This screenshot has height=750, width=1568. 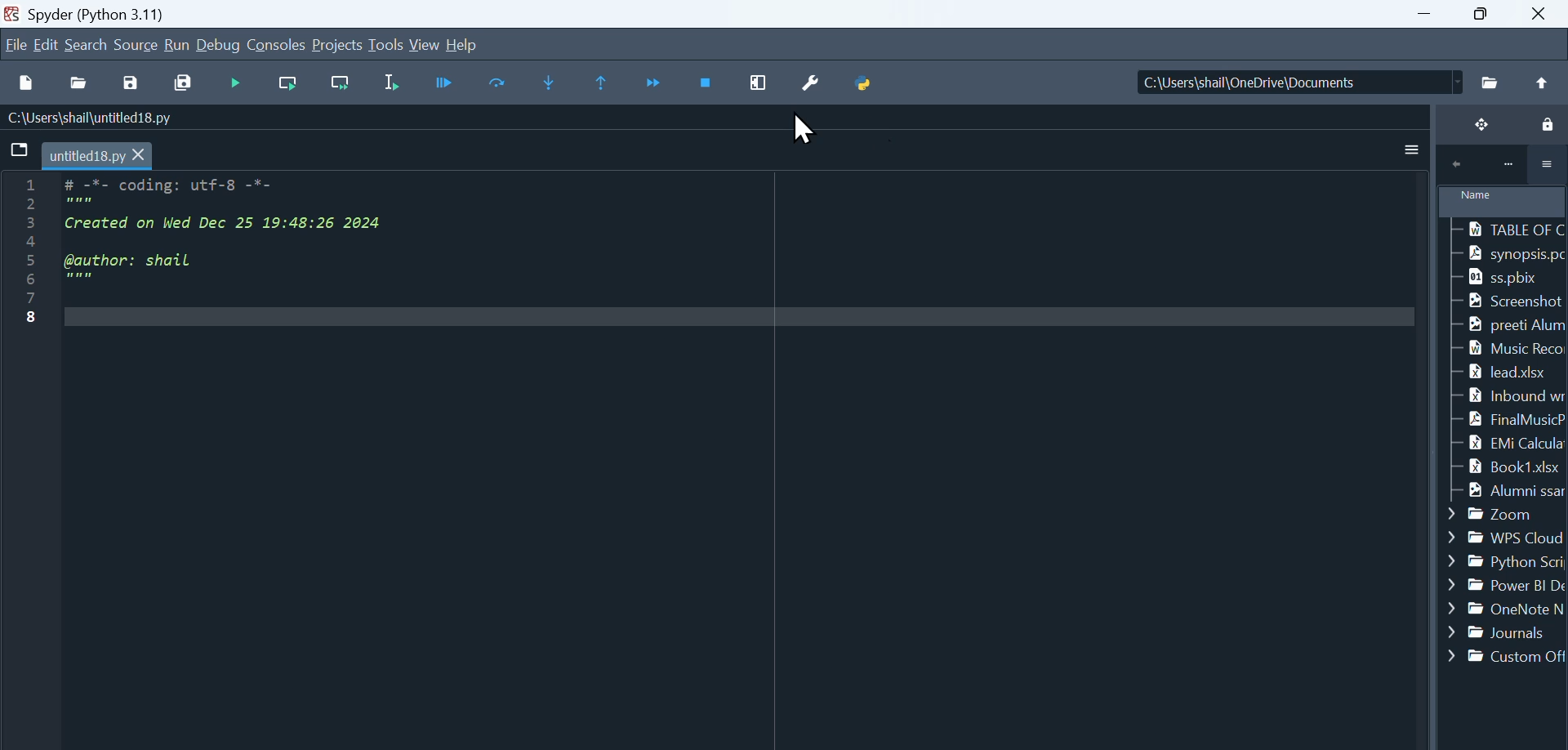 What do you see at coordinates (20, 150) in the screenshot?
I see `search tabs` at bounding box center [20, 150].